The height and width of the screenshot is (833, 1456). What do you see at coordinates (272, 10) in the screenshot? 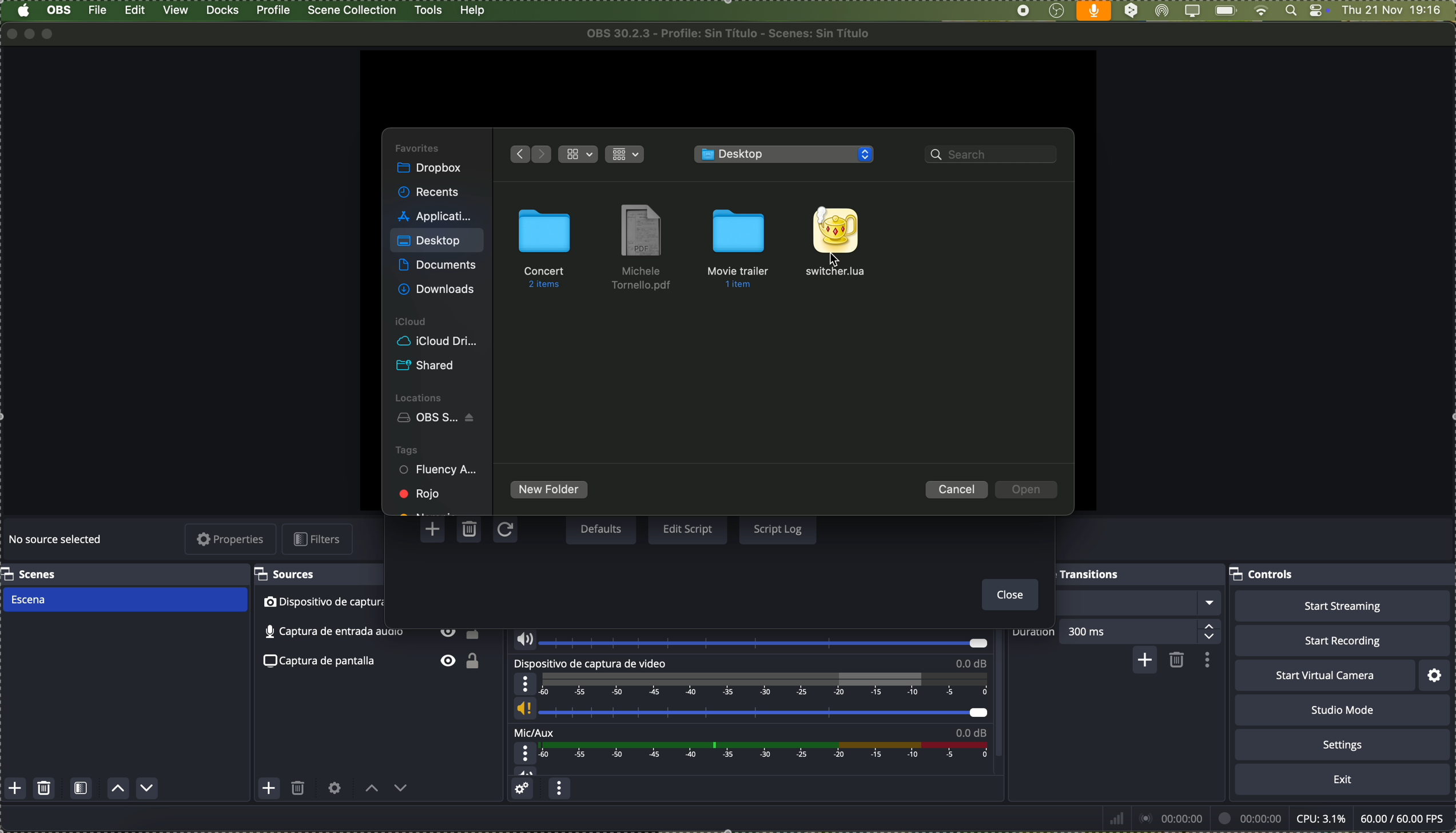
I see `profile` at bounding box center [272, 10].